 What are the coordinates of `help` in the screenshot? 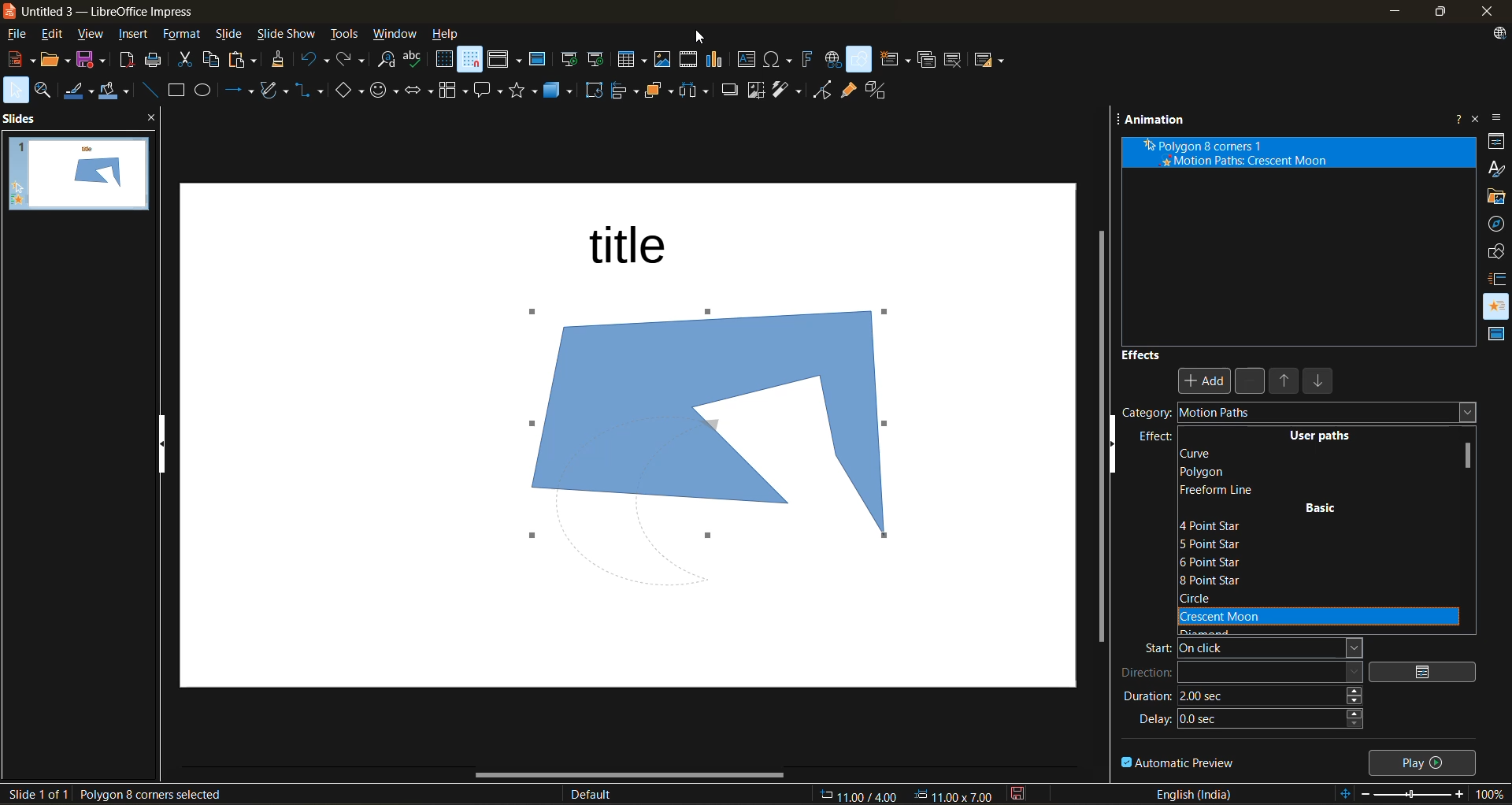 It's located at (447, 34).